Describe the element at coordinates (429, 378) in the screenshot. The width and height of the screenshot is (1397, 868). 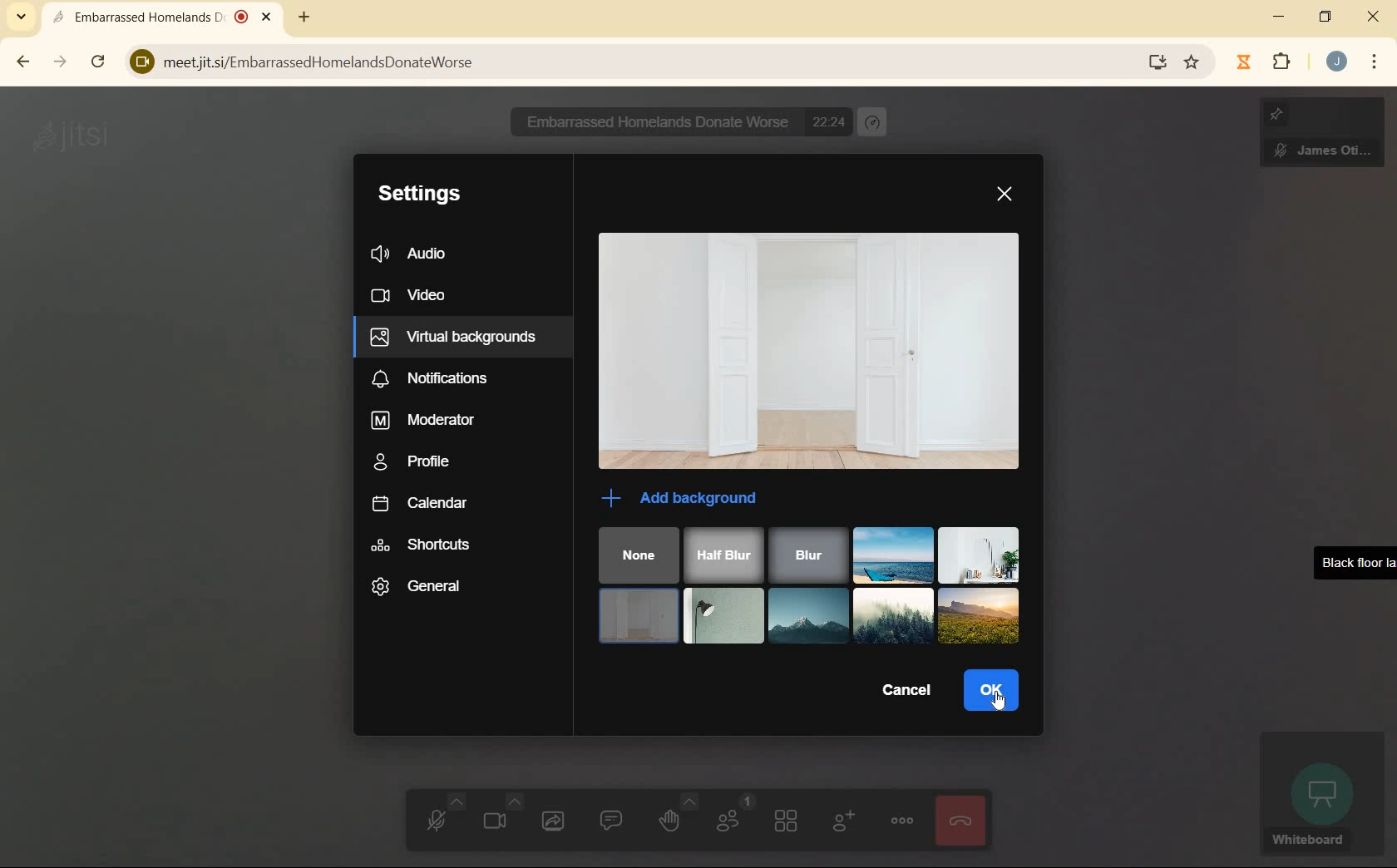
I see `notifications` at that location.